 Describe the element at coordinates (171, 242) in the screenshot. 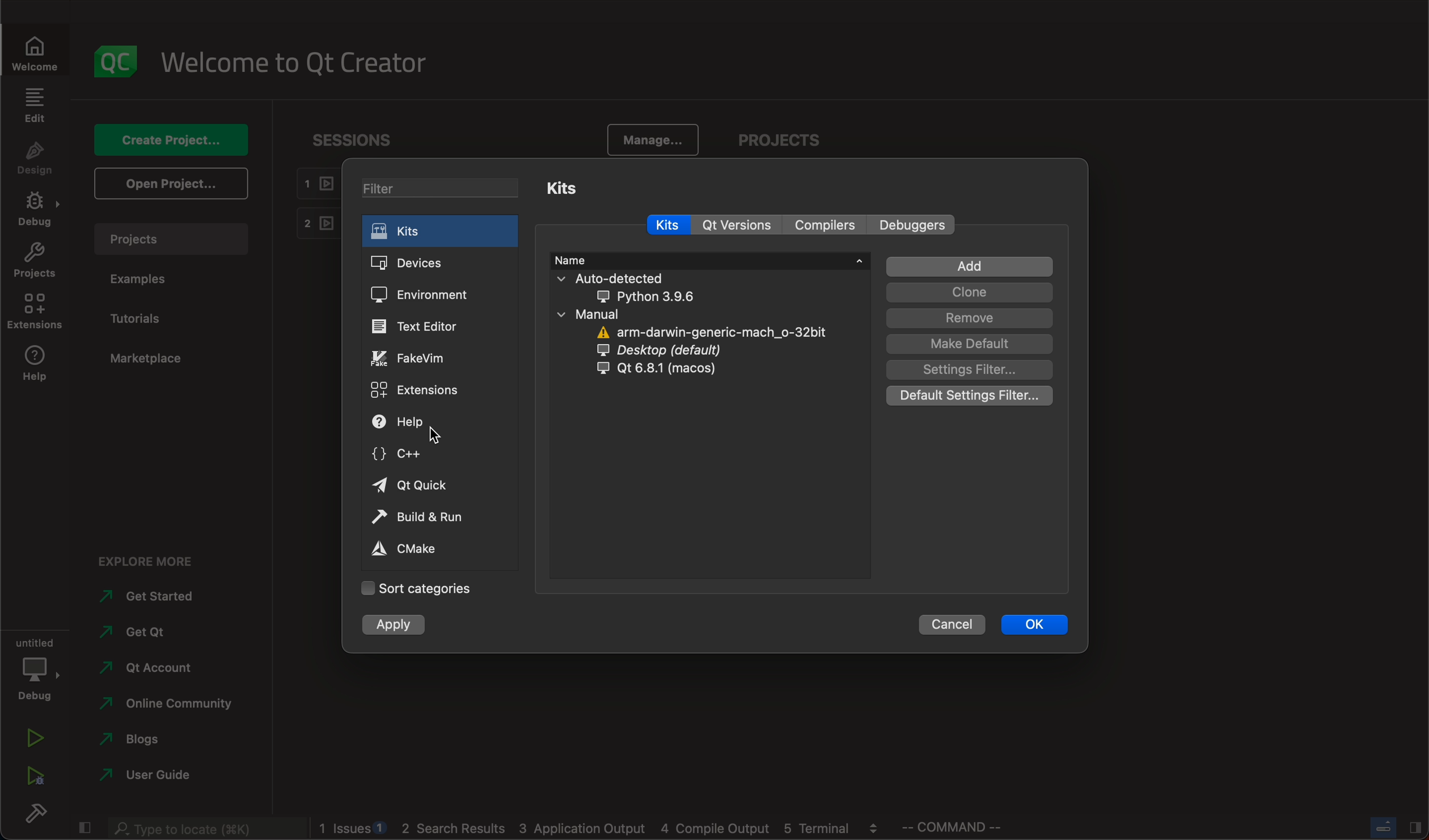

I see `projects` at that location.